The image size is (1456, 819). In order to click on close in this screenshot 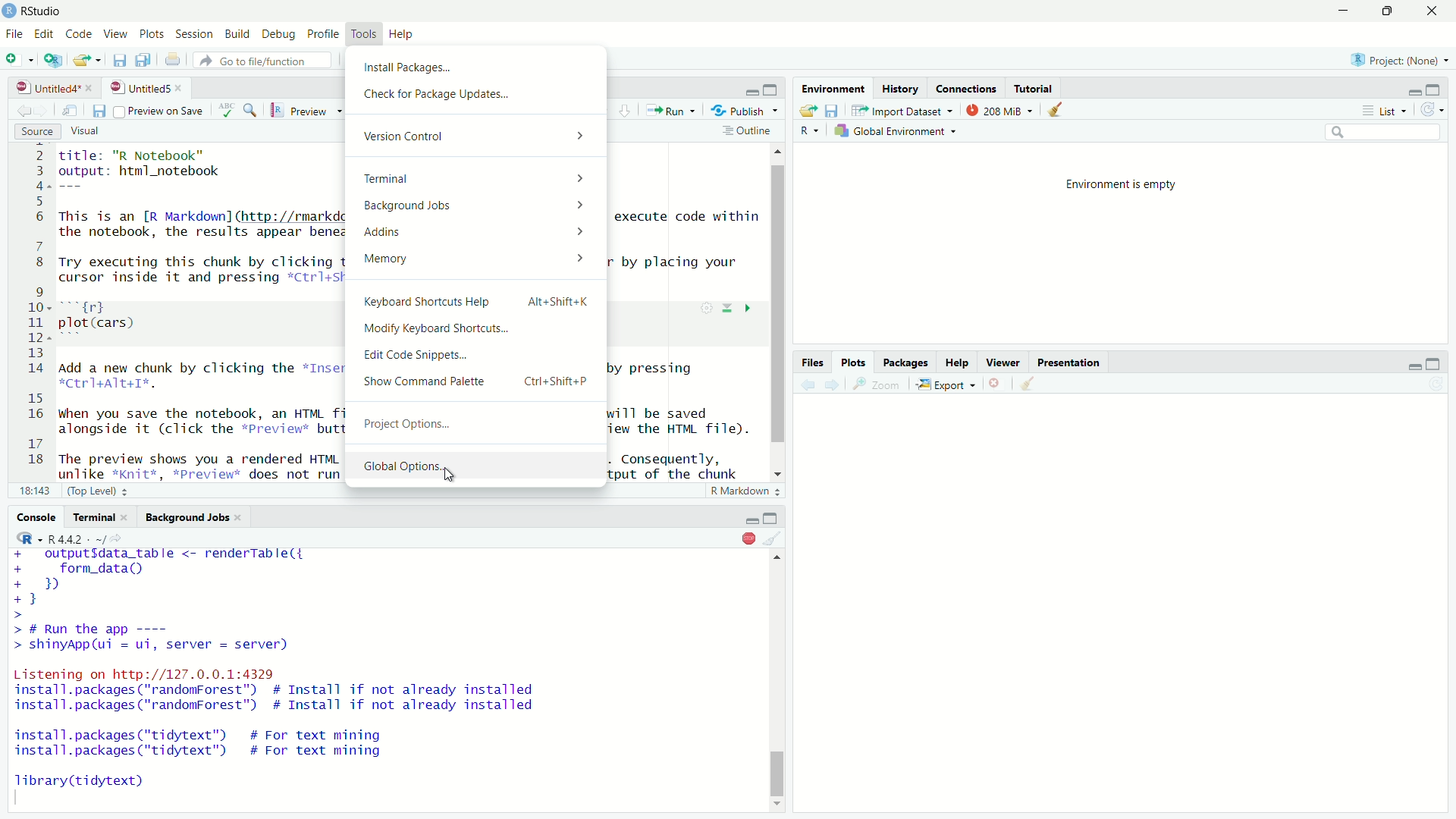, I will do `click(999, 383)`.